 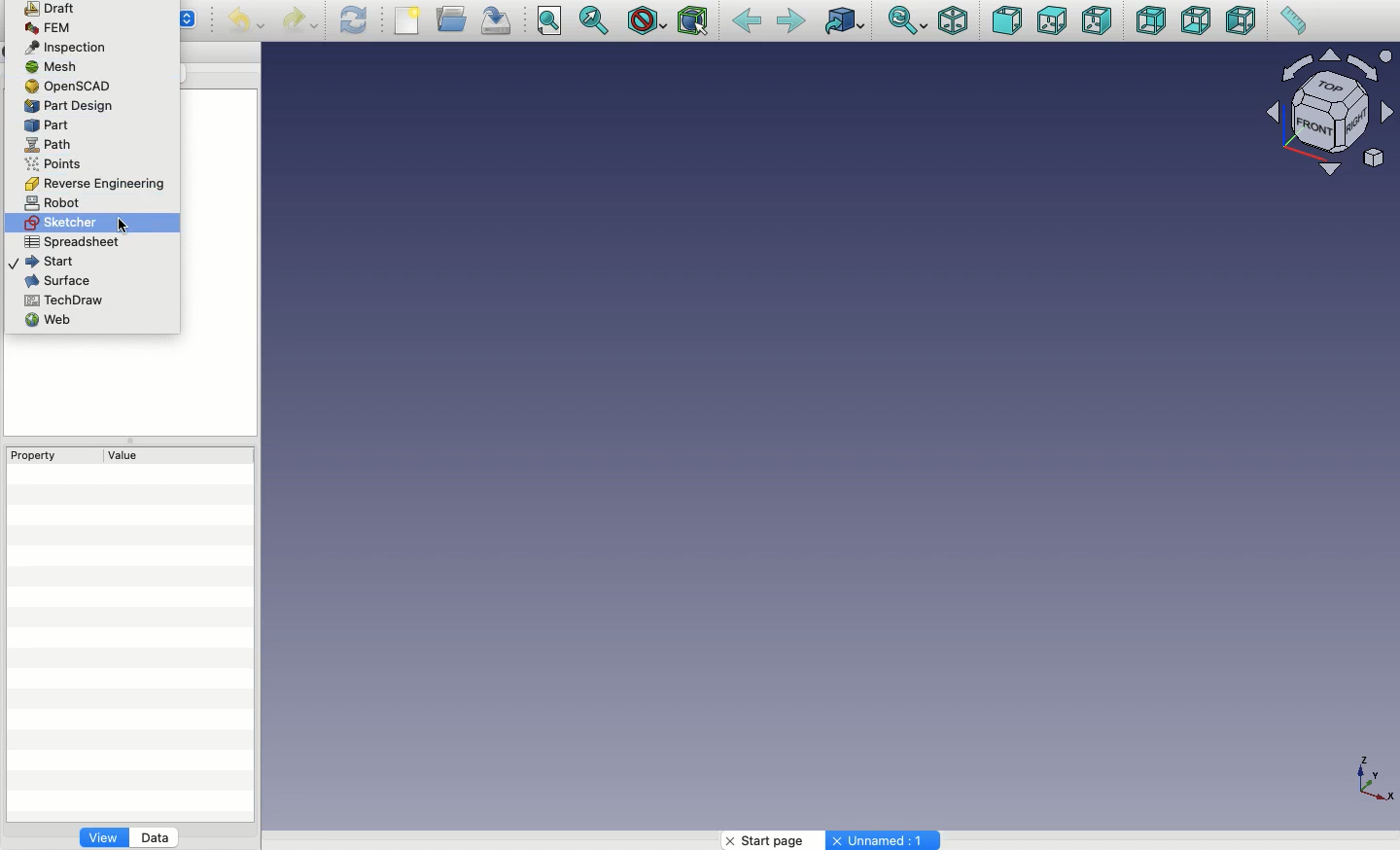 What do you see at coordinates (1050, 22) in the screenshot?
I see `Top` at bounding box center [1050, 22].